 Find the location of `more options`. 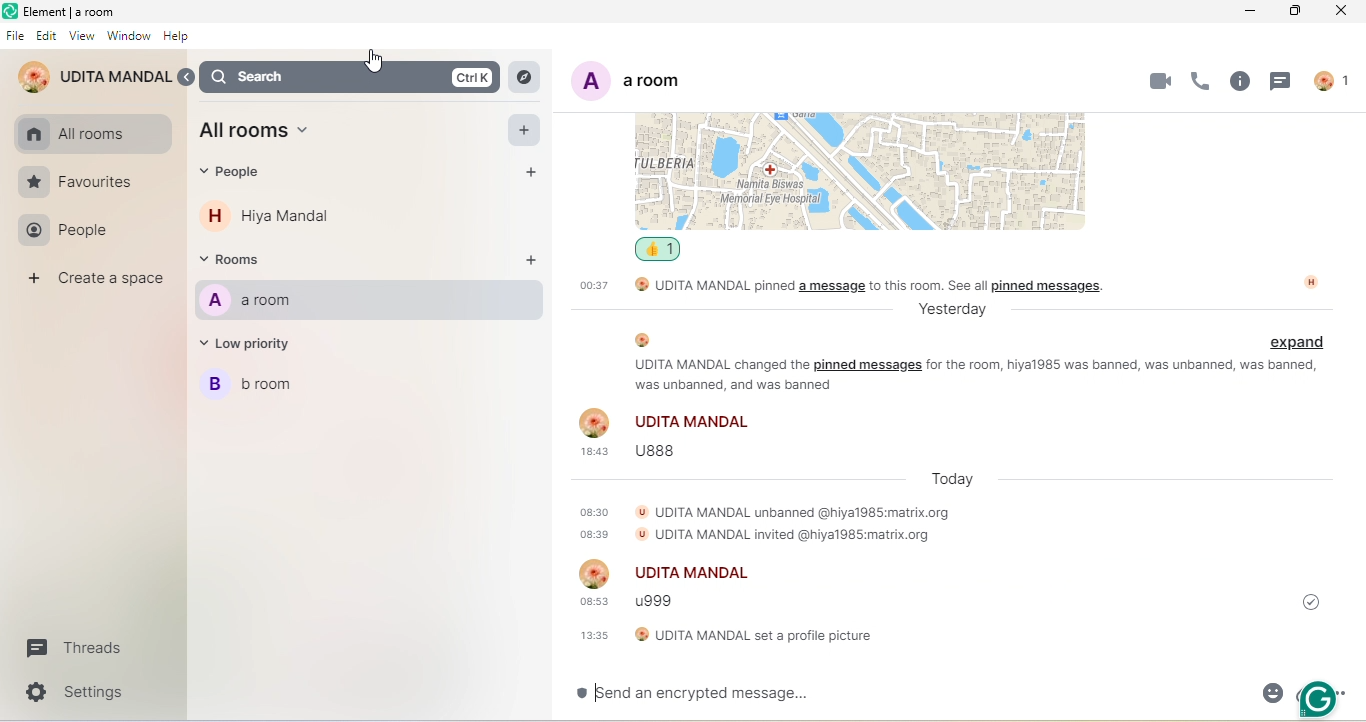

more options is located at coordinates (1344, 690).